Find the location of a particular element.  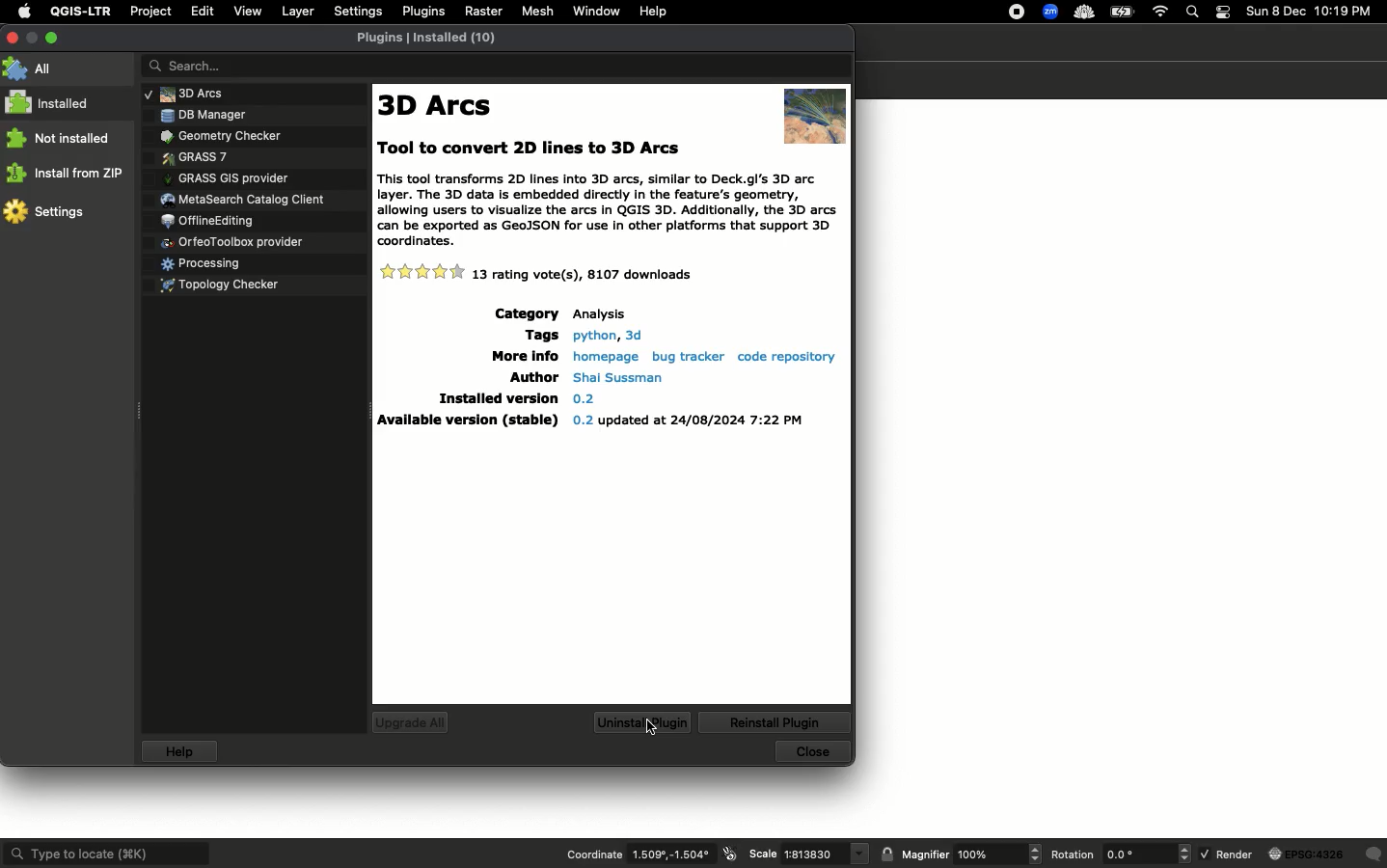

Layer is located at coordinates (300, 11).